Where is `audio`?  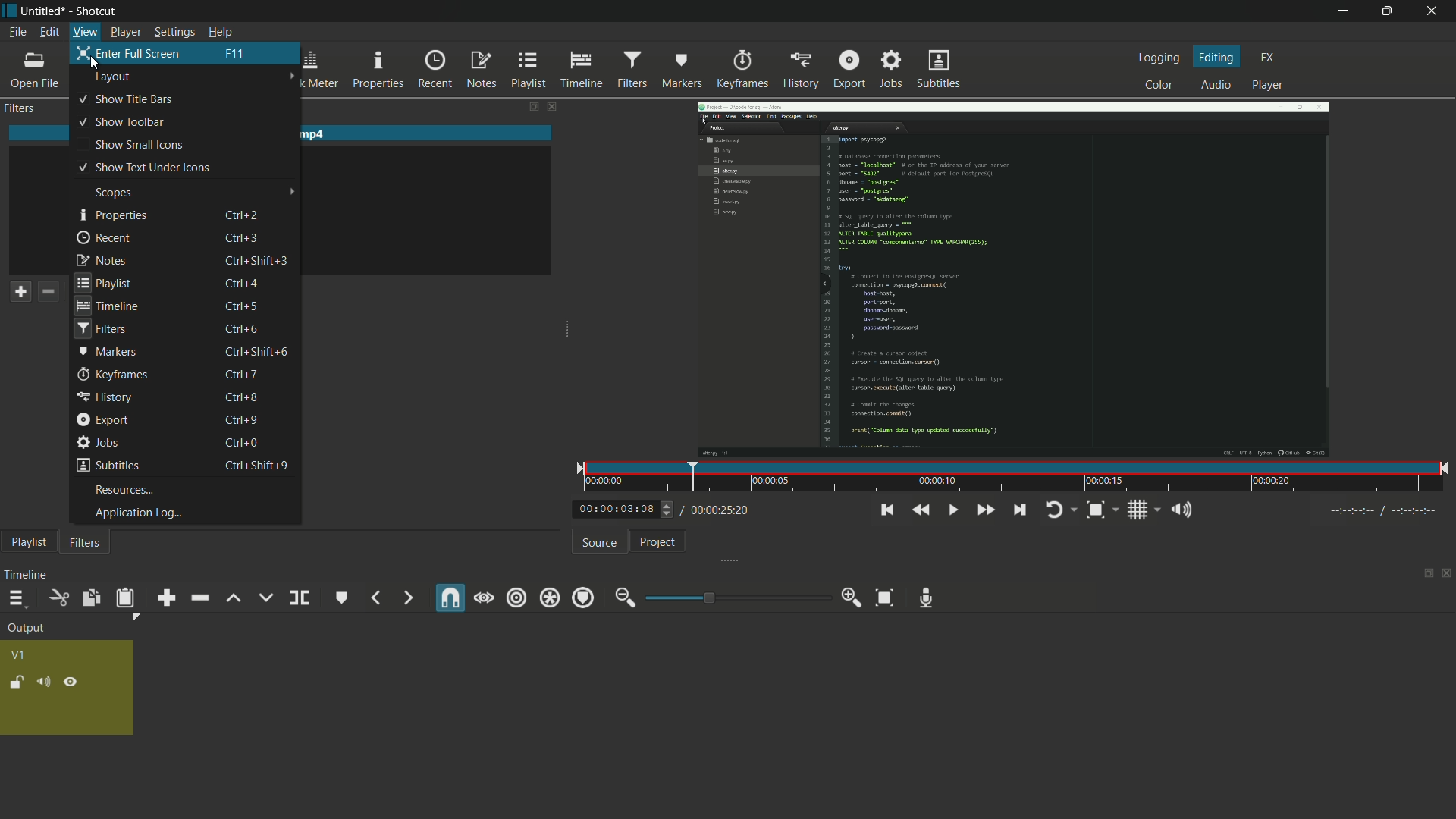 audio is located at coordinates (1216, 86).